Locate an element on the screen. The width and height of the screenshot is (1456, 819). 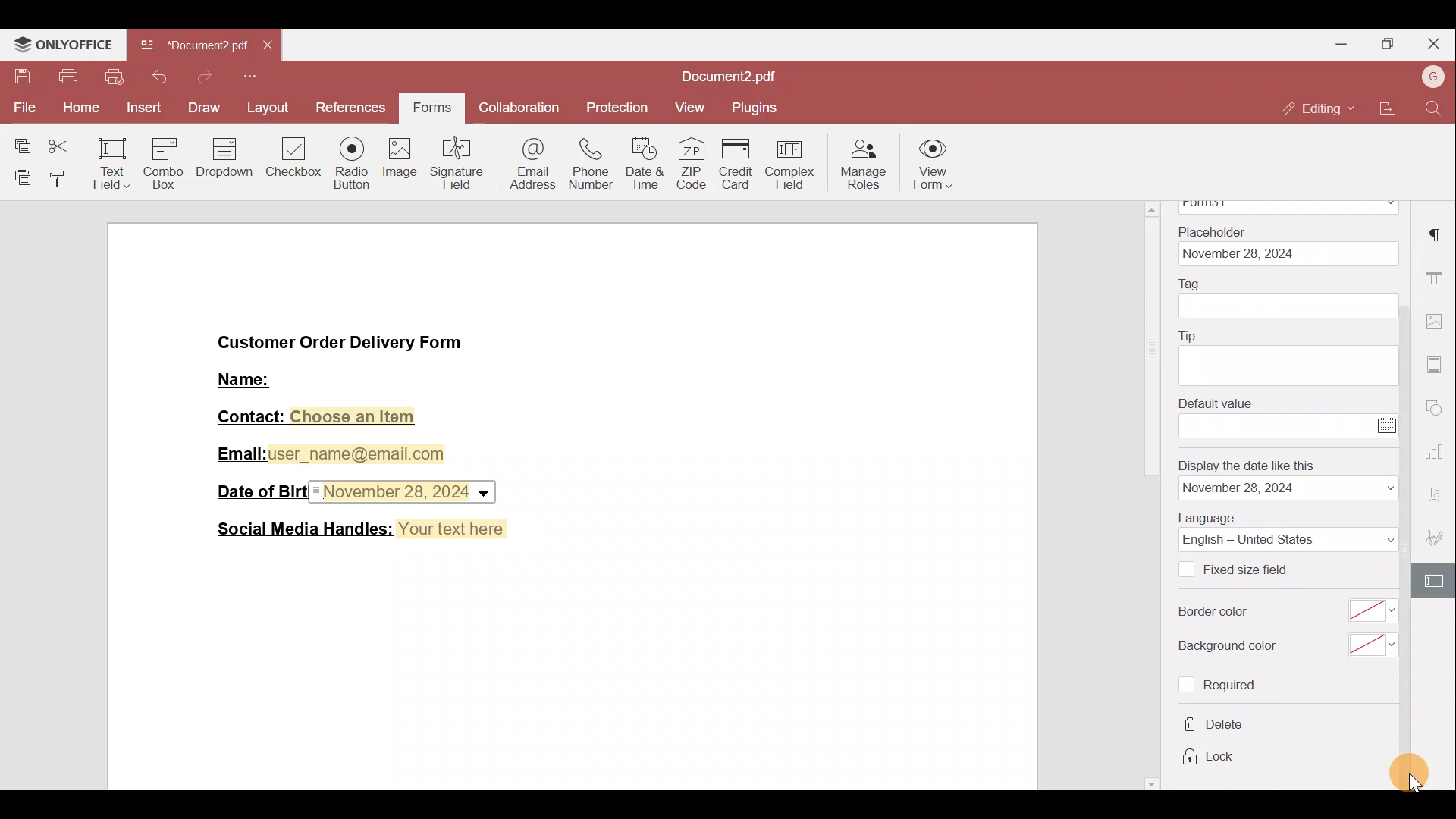
Print file is located at coordinates (63, 77).